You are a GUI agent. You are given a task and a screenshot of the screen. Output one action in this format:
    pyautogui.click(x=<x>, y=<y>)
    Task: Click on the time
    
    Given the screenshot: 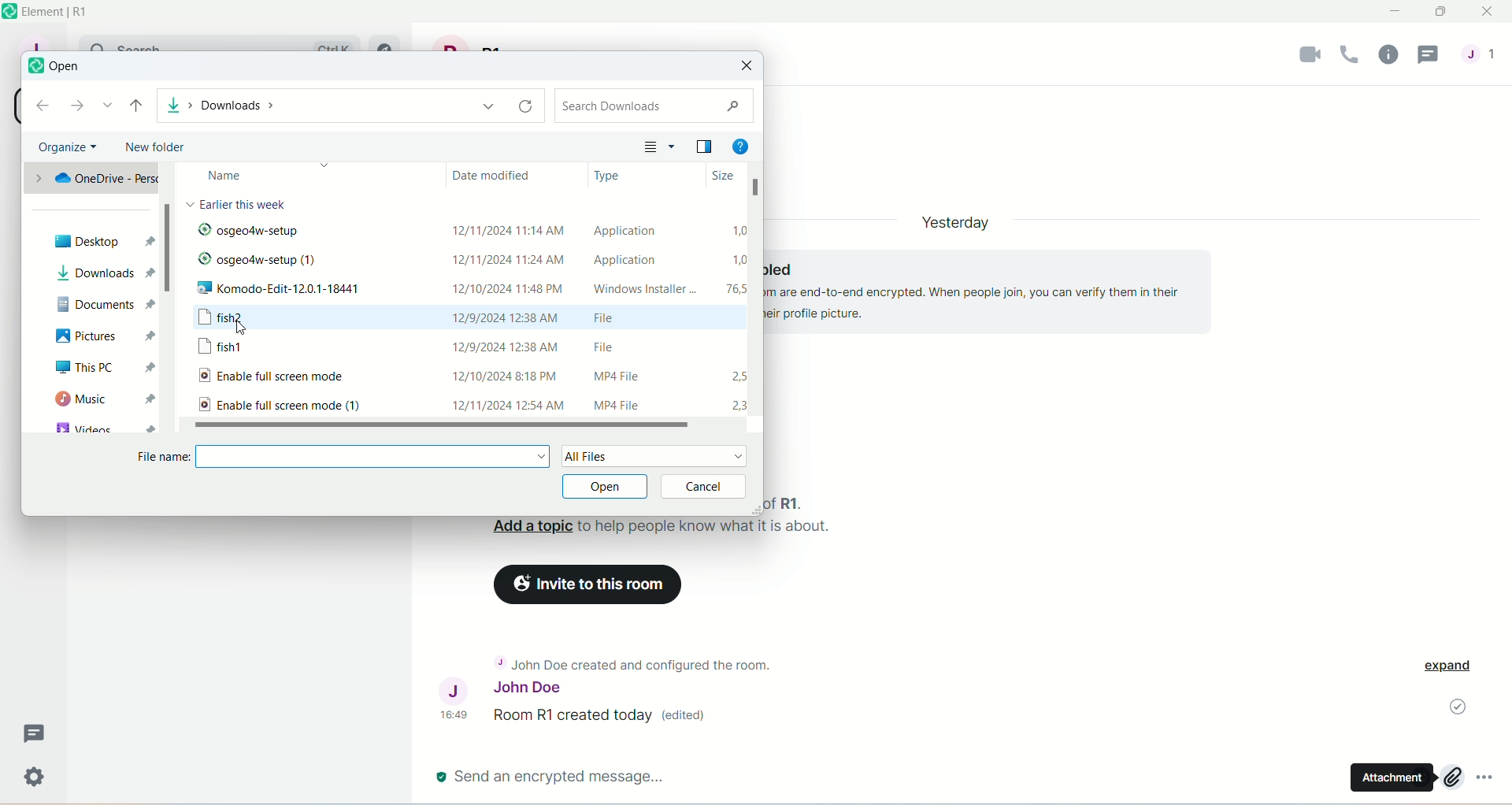 What is the action you would take?
    pyautogui.click(x=458, y=714)
    